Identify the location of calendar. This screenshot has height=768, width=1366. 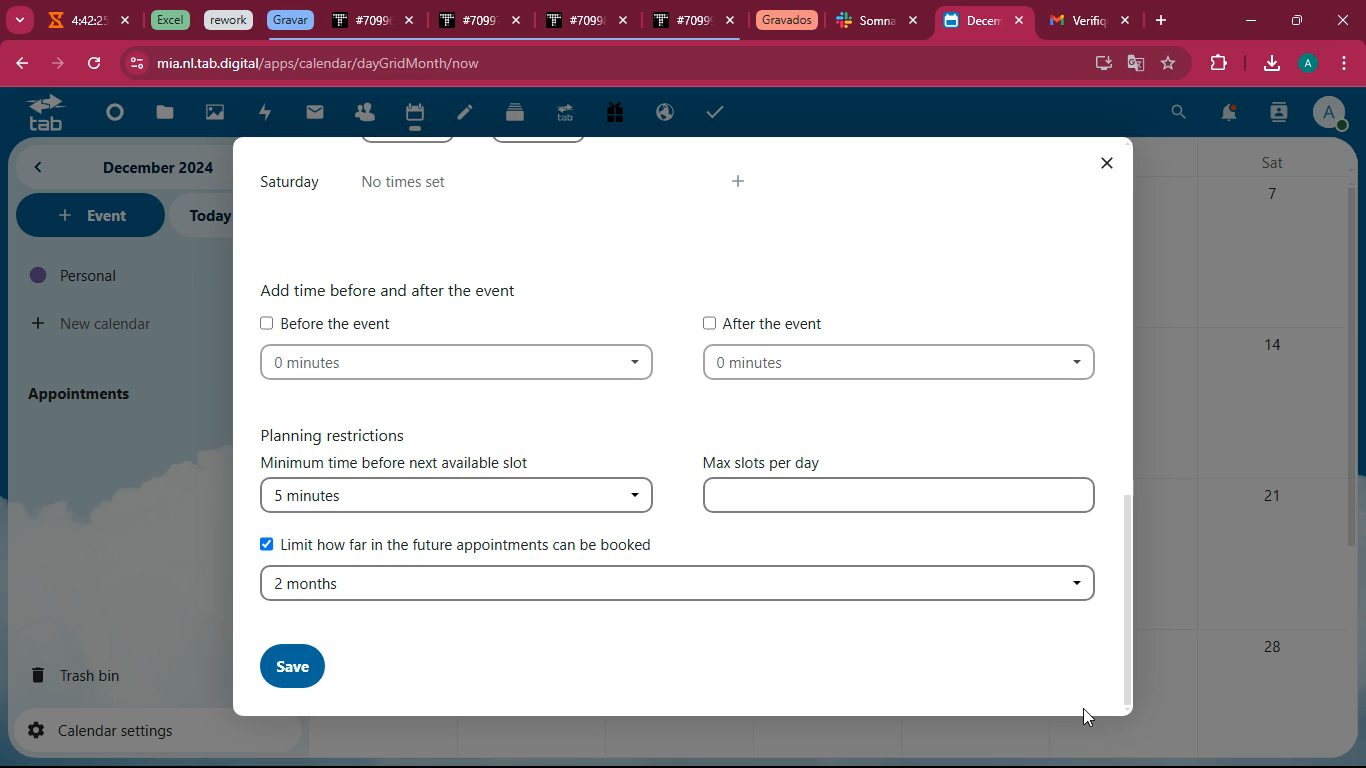
(414, 116).